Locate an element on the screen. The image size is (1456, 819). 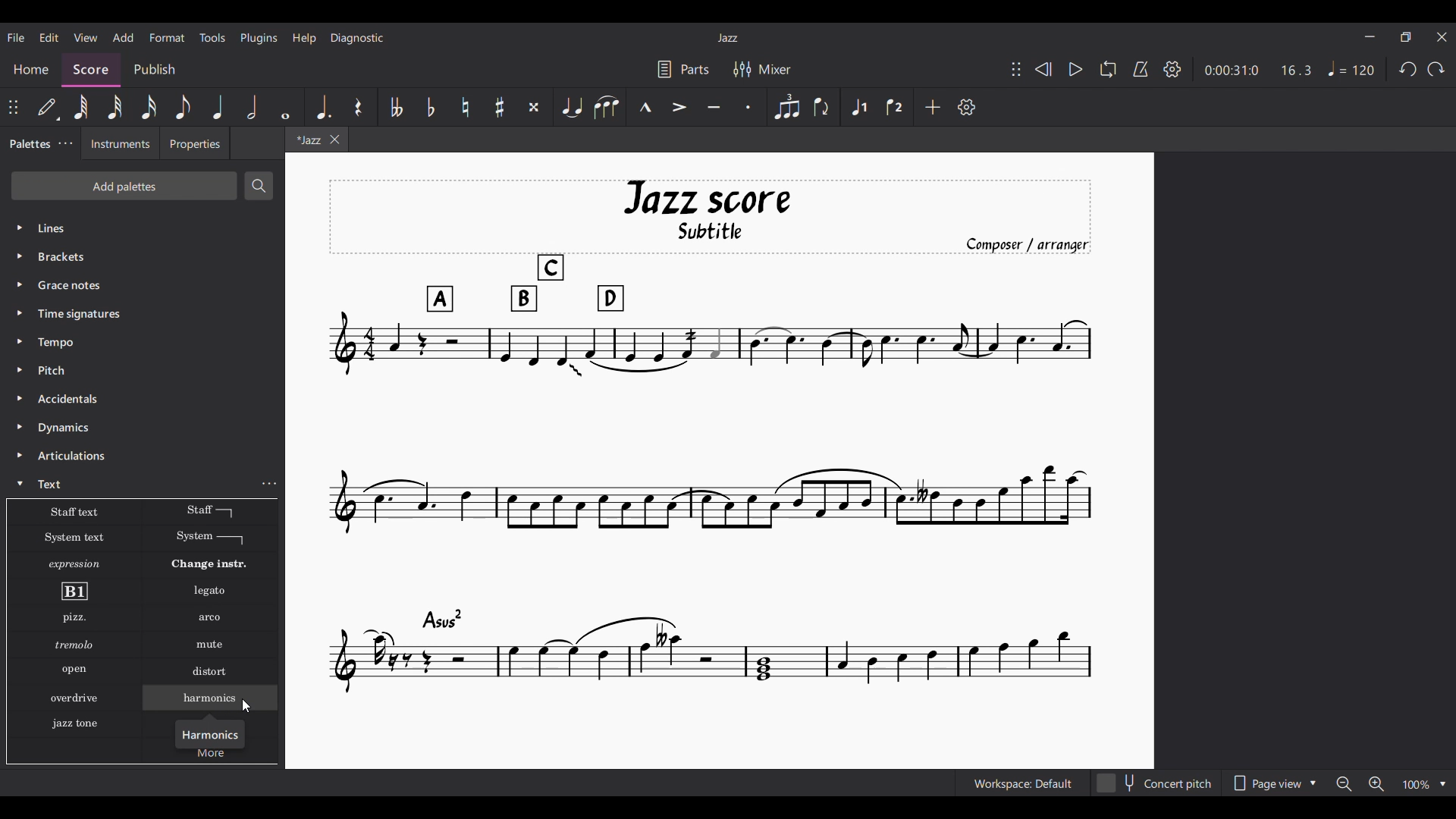
System is located at coordinates (210, 538).